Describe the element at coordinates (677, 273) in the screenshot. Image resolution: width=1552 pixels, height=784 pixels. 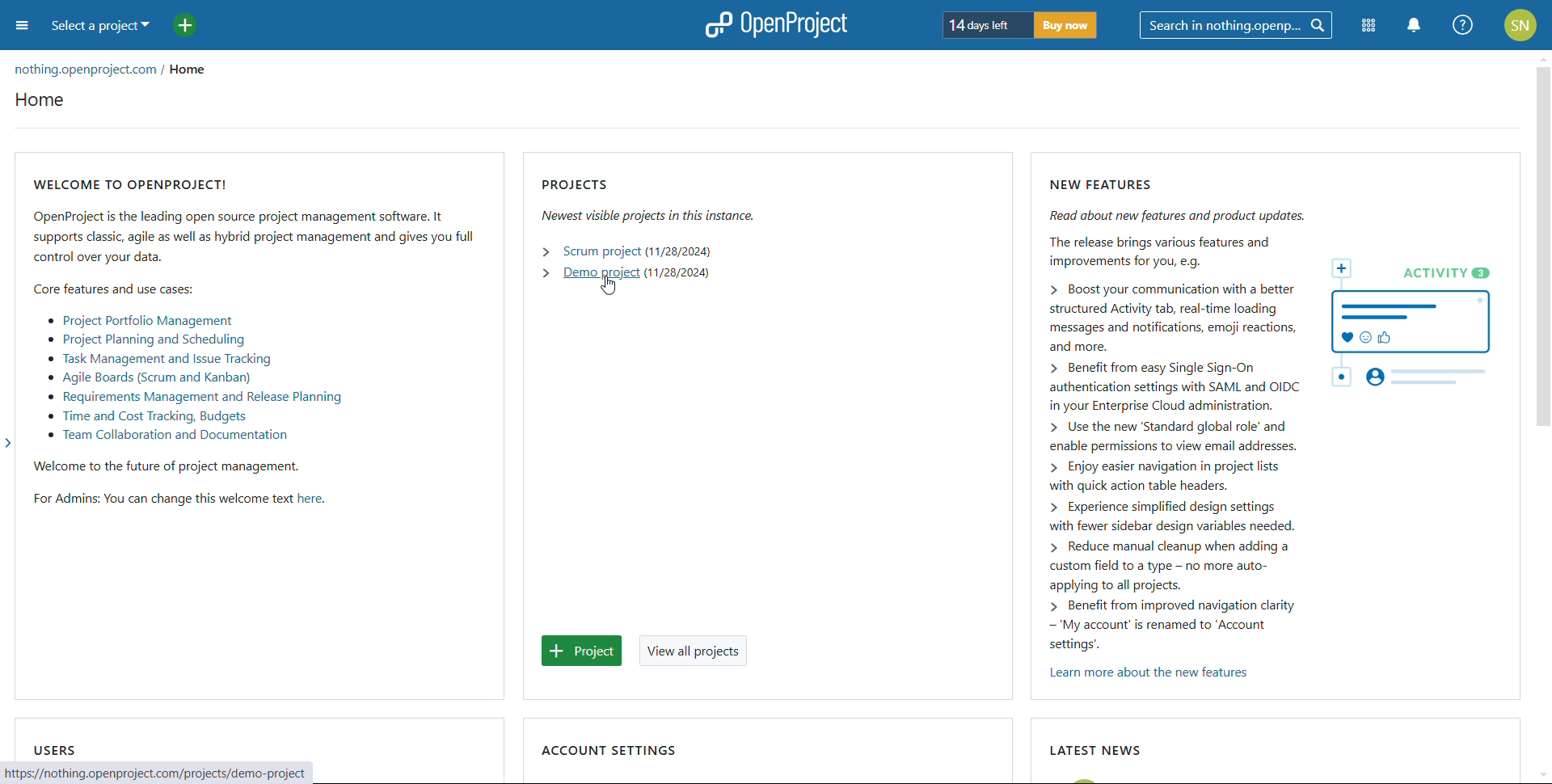
I see `start date of demo project` at that location.